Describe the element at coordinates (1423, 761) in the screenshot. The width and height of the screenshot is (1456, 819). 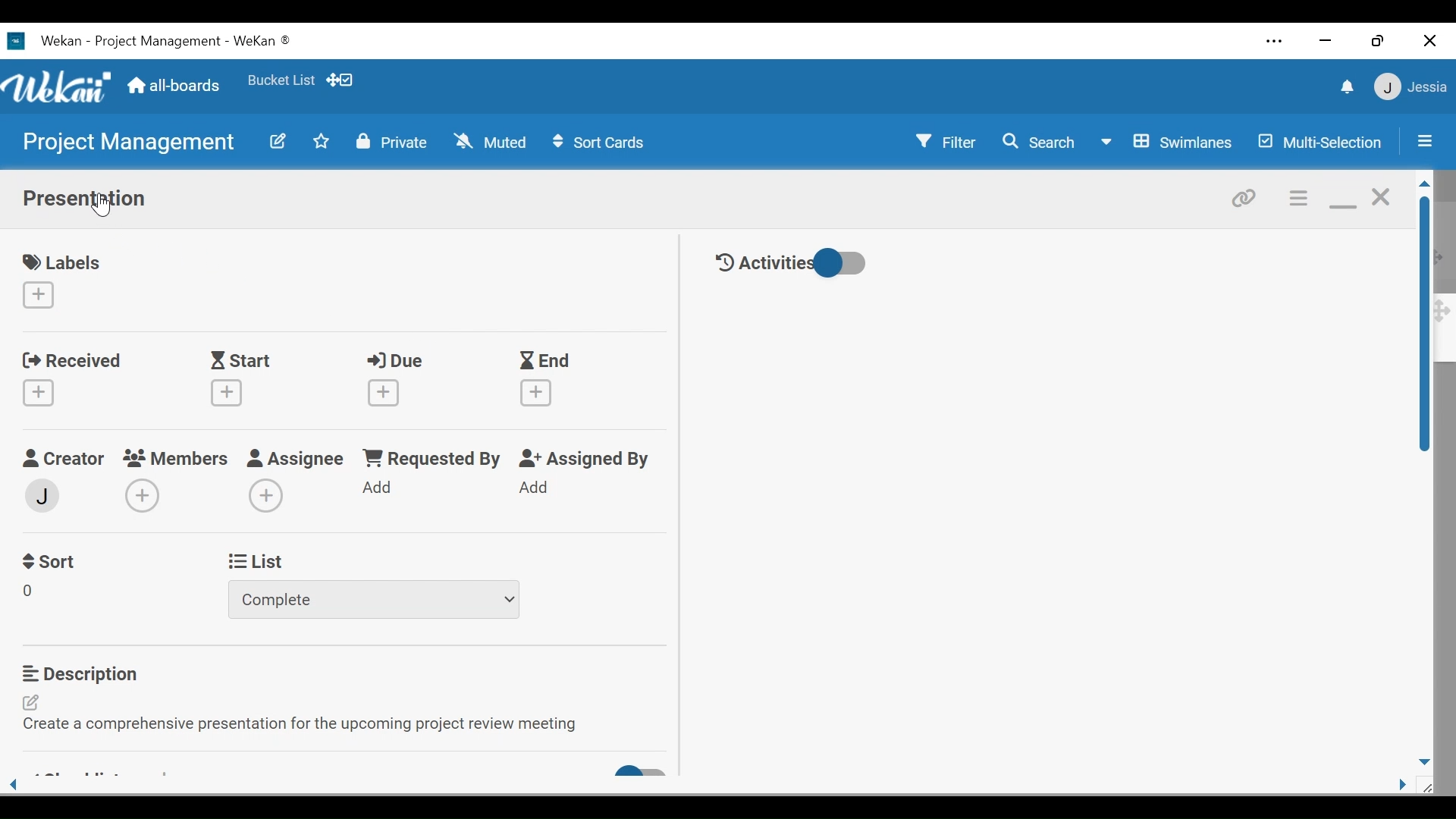
I see `Scroll down` at that location.